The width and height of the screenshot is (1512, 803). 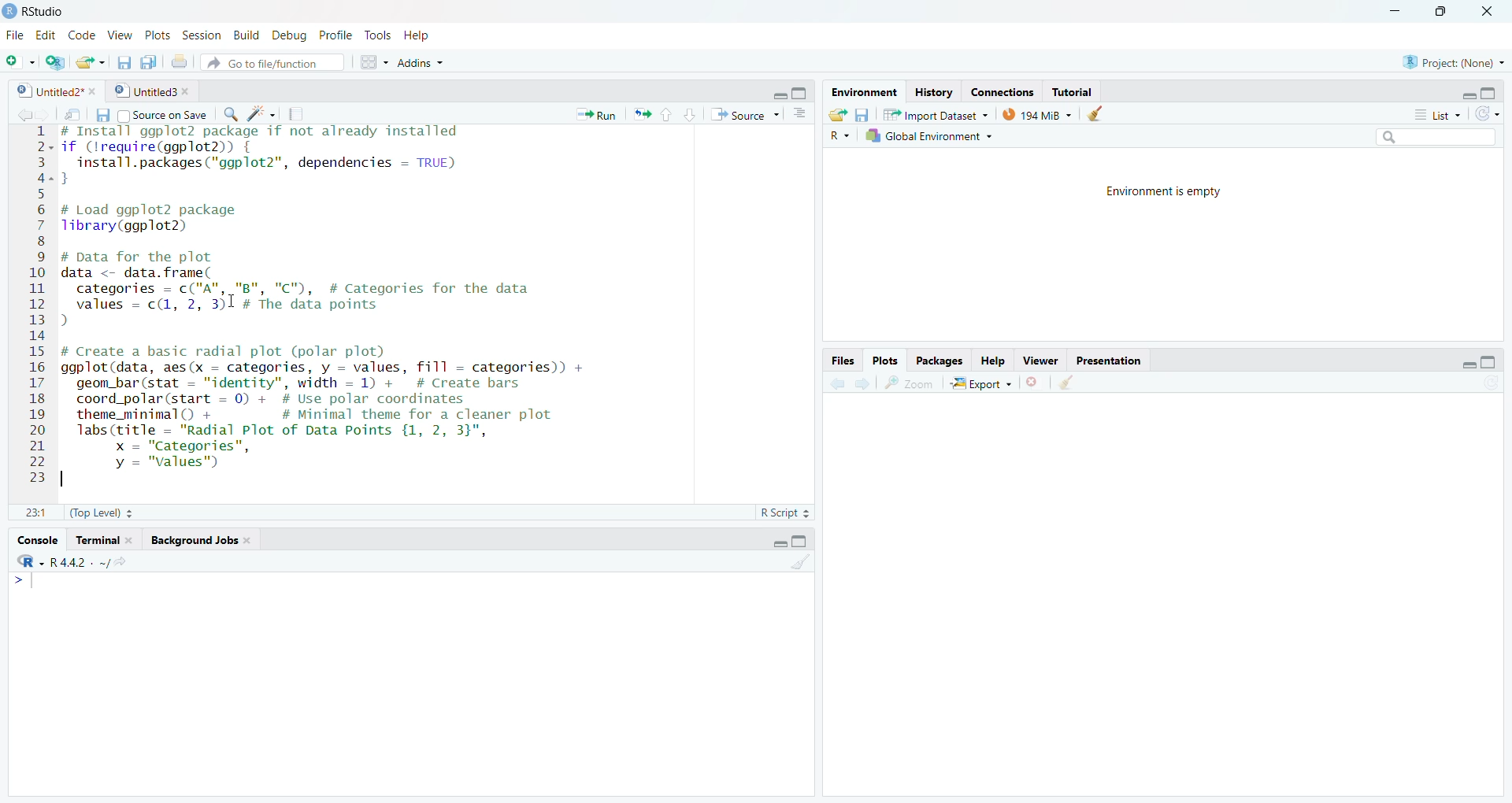 I want to click on Untitled3, so click(x=155, y=92).